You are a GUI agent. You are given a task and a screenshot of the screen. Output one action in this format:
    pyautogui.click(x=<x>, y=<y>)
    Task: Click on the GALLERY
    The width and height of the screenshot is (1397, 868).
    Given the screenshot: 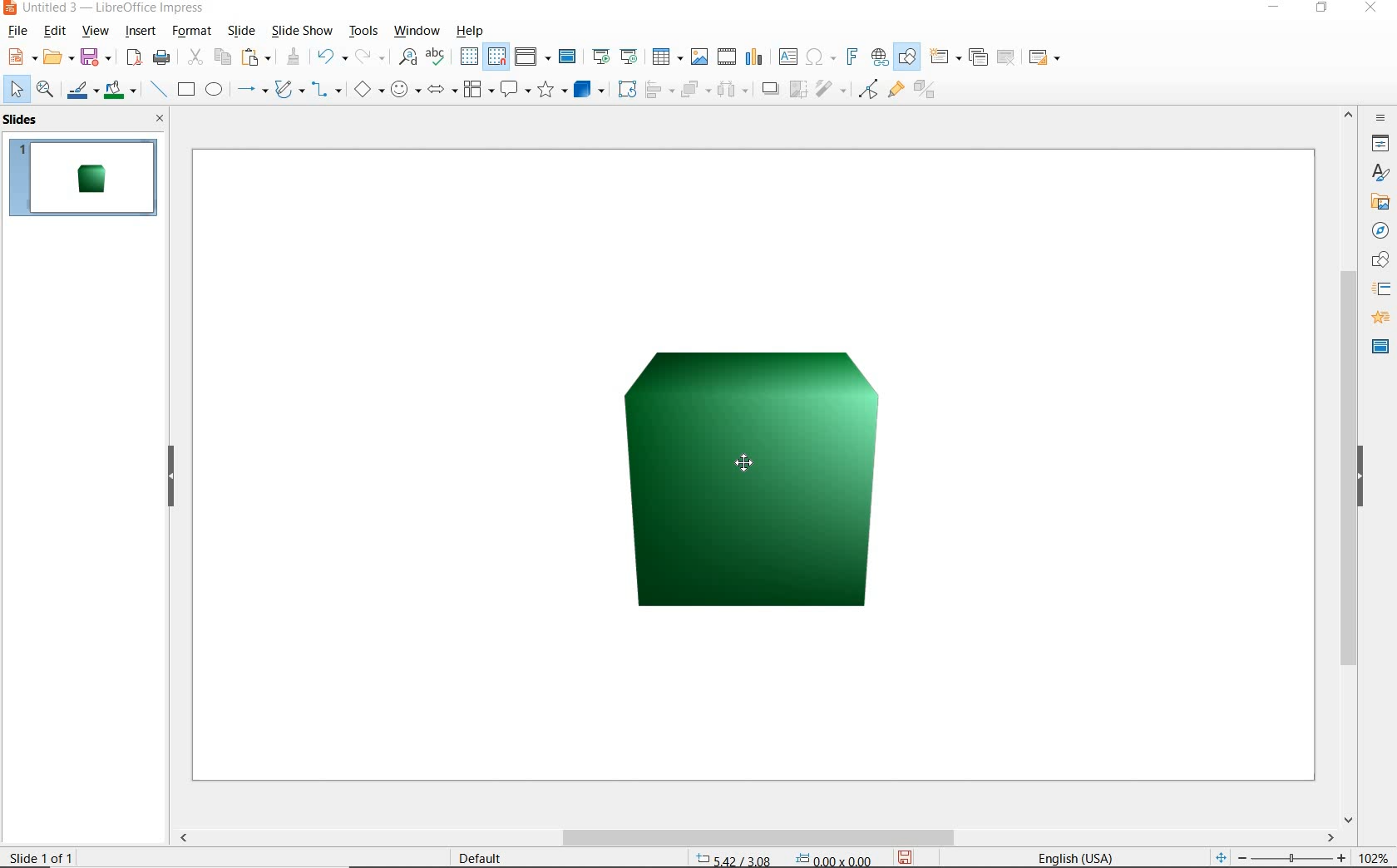 What is the action you would take?
    pyautogui.click(x=1380, y=204)
    